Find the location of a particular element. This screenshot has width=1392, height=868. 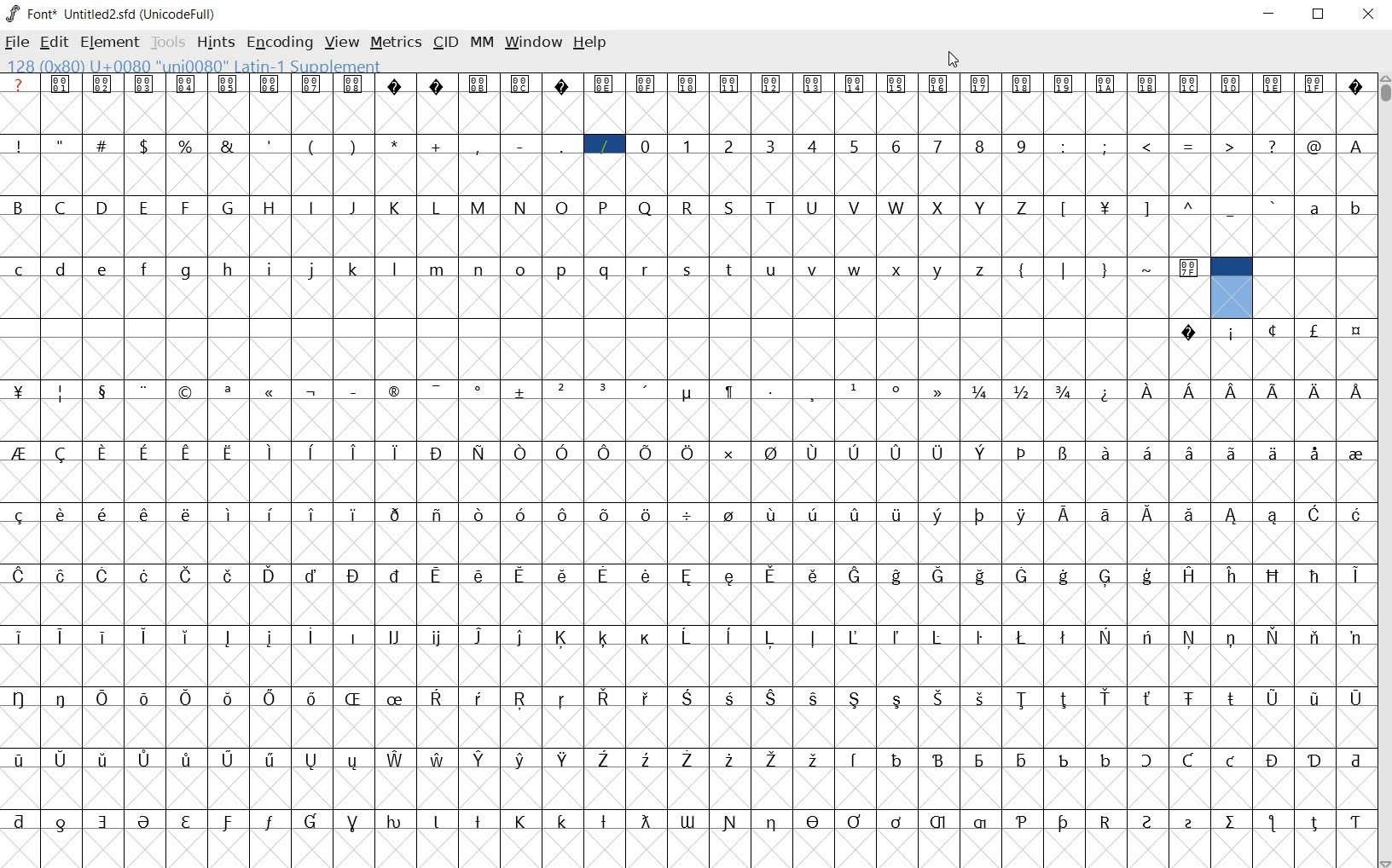

] is located at coordinates (1147, 206).